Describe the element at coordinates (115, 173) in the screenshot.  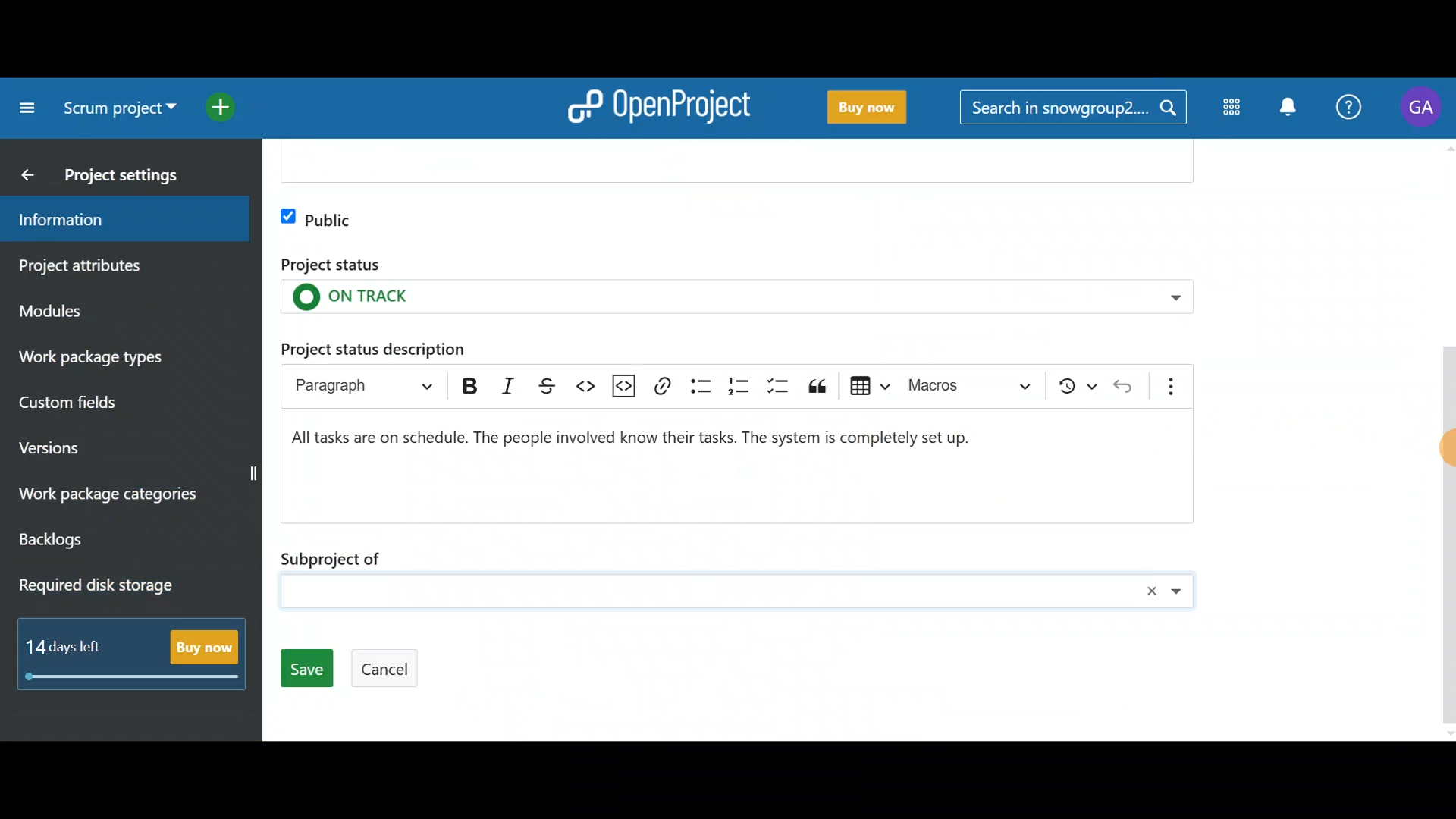
I see `Project settings` at that location.